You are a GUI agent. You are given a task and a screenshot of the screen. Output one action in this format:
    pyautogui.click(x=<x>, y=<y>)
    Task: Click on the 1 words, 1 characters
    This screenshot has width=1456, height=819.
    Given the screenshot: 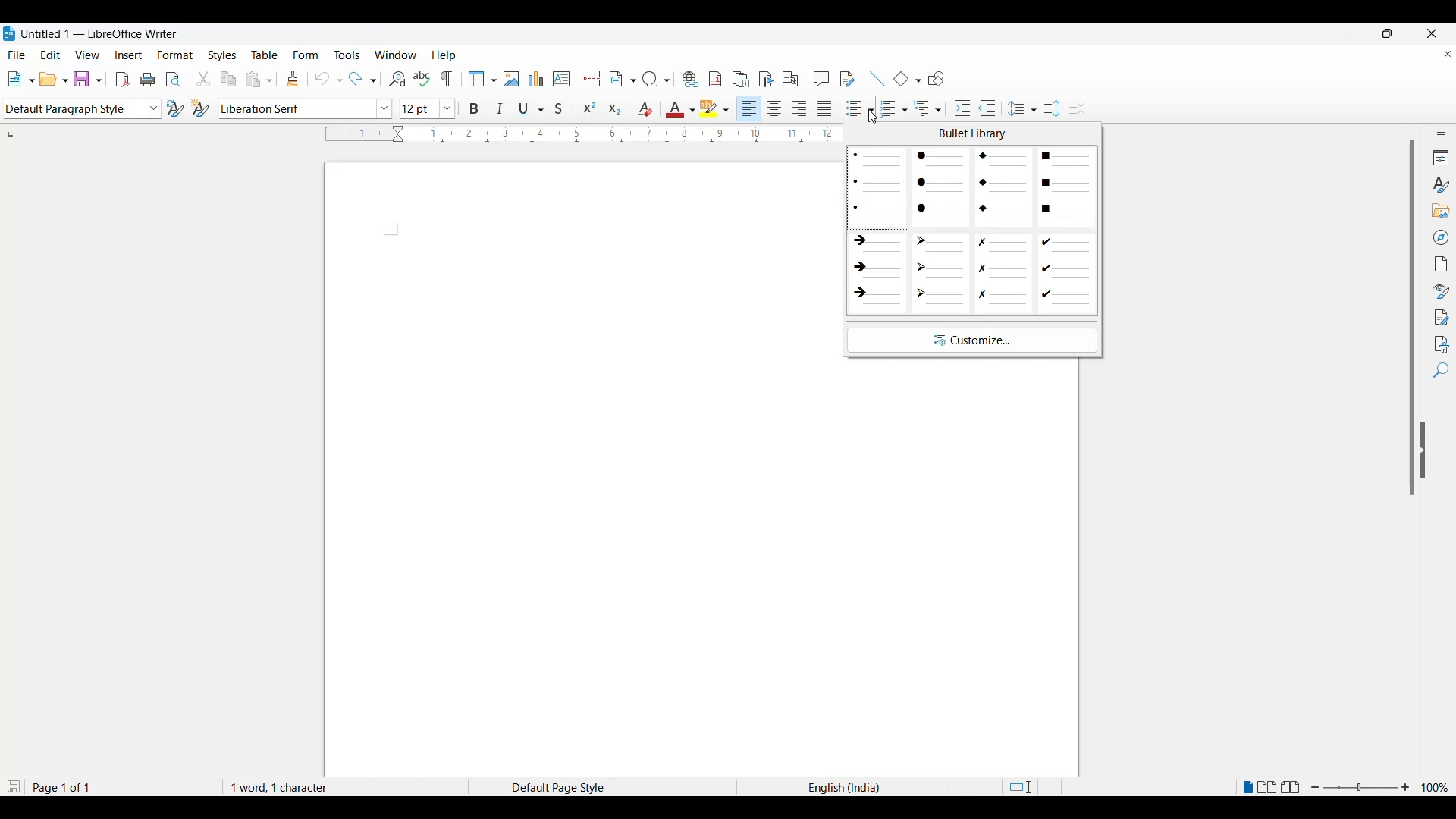 What is the action you would take?
    pyautogui.click(x=292, y=786)
    